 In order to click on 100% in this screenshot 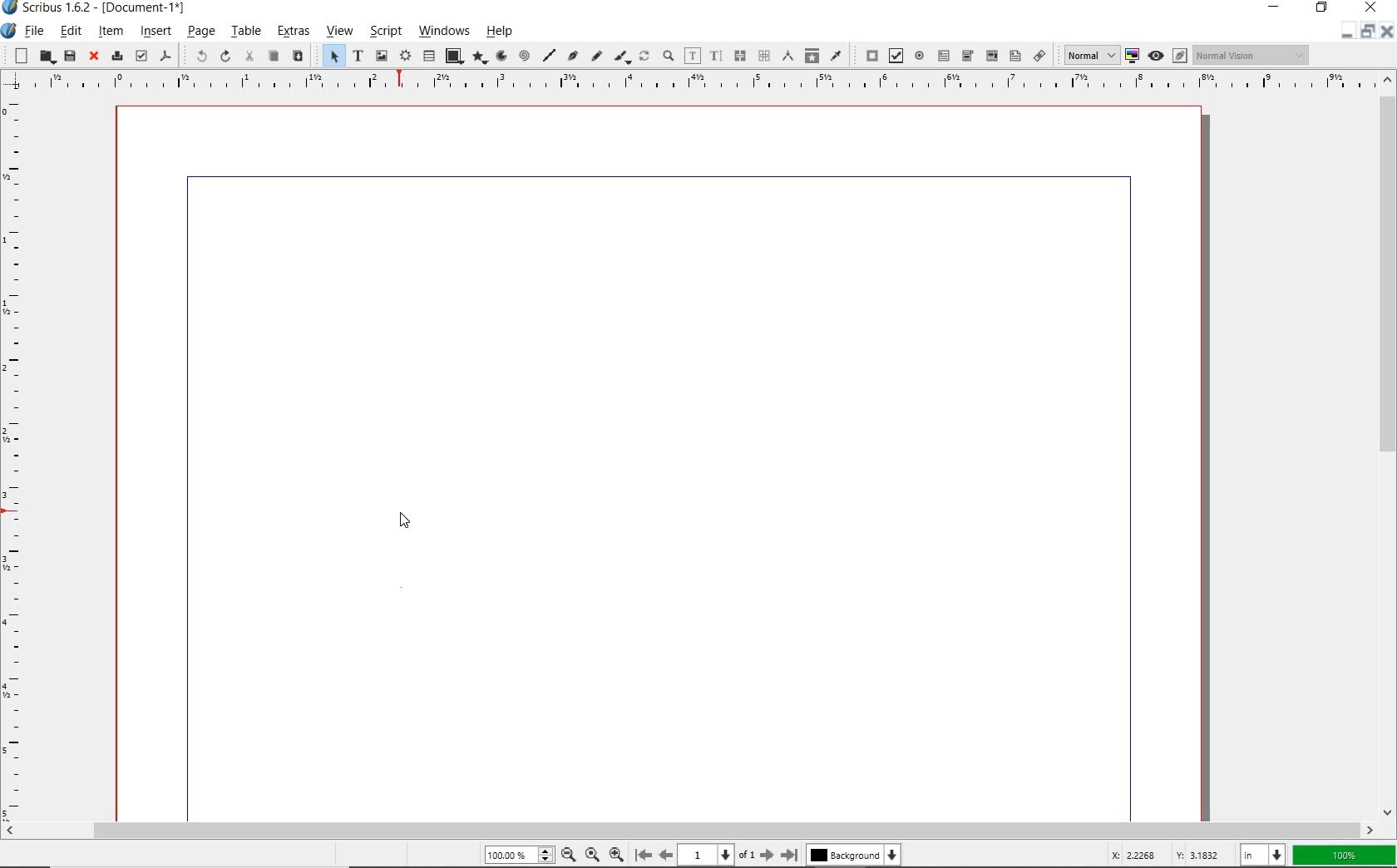, I will do `click(1345, 856)`.